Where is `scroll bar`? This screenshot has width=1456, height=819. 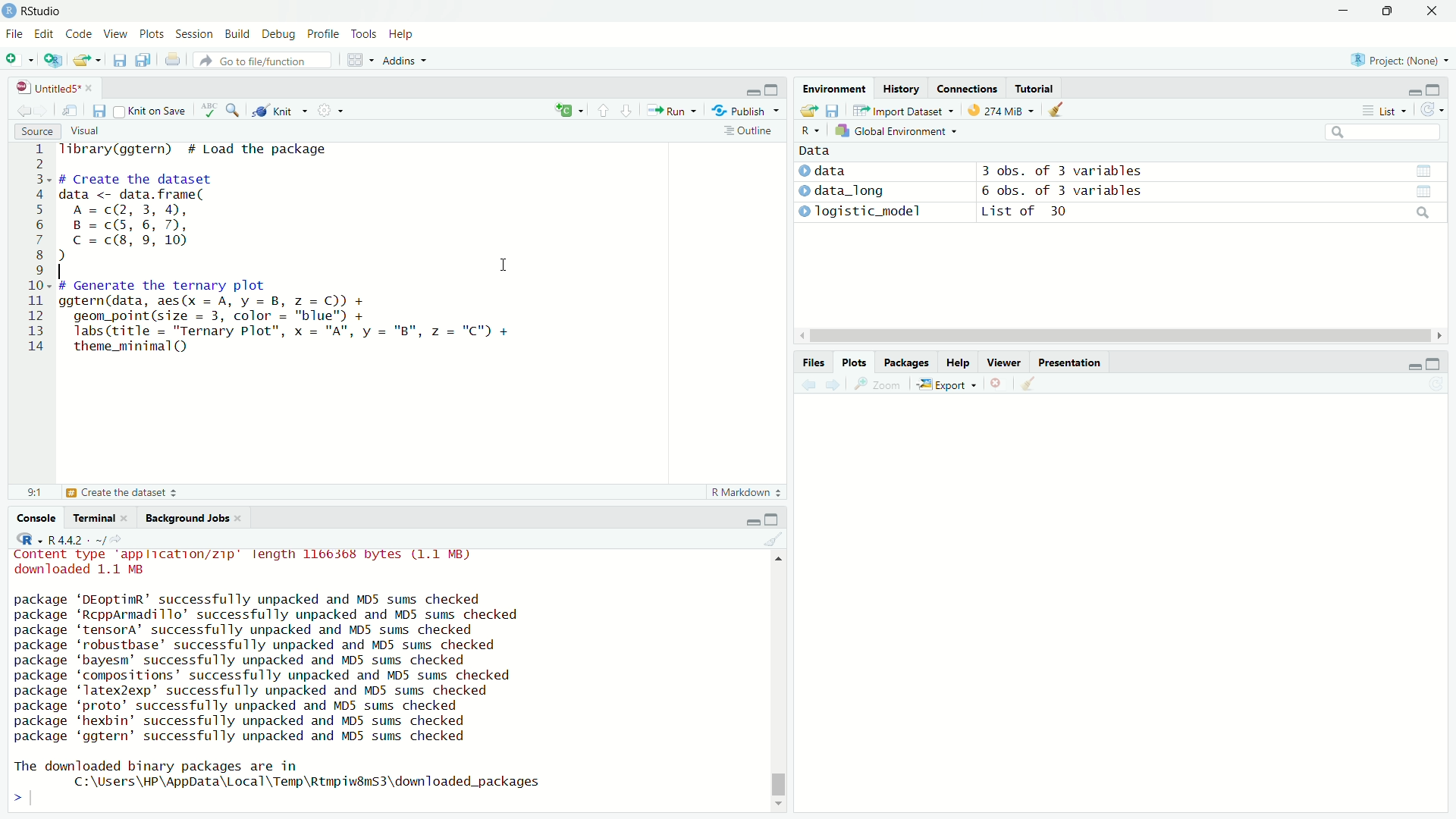
scroll bar is located at coordinates (783, 679).